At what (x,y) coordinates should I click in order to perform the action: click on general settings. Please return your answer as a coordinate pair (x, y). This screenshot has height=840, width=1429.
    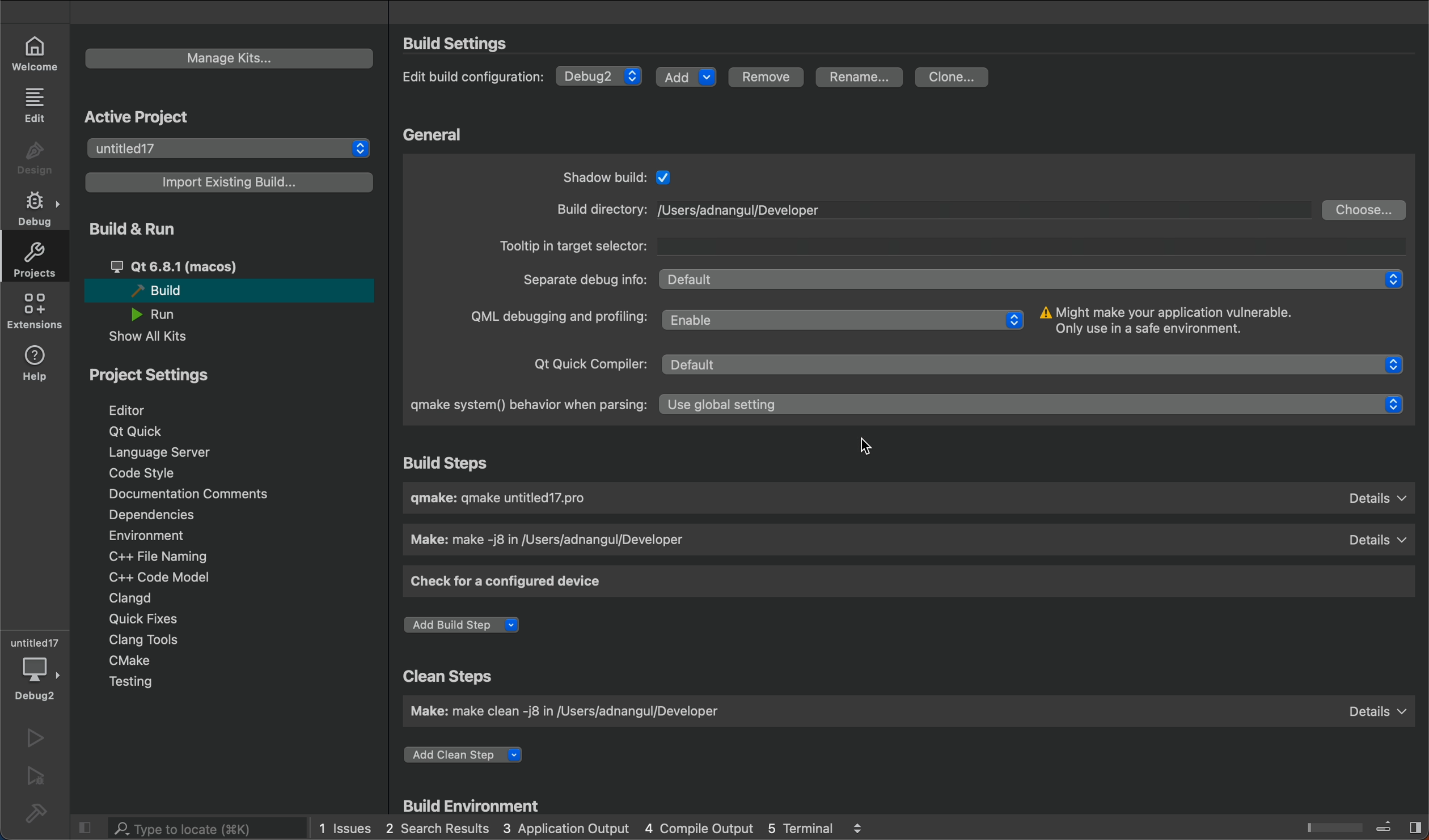
    Looking at the image, I should click on (549, 174).